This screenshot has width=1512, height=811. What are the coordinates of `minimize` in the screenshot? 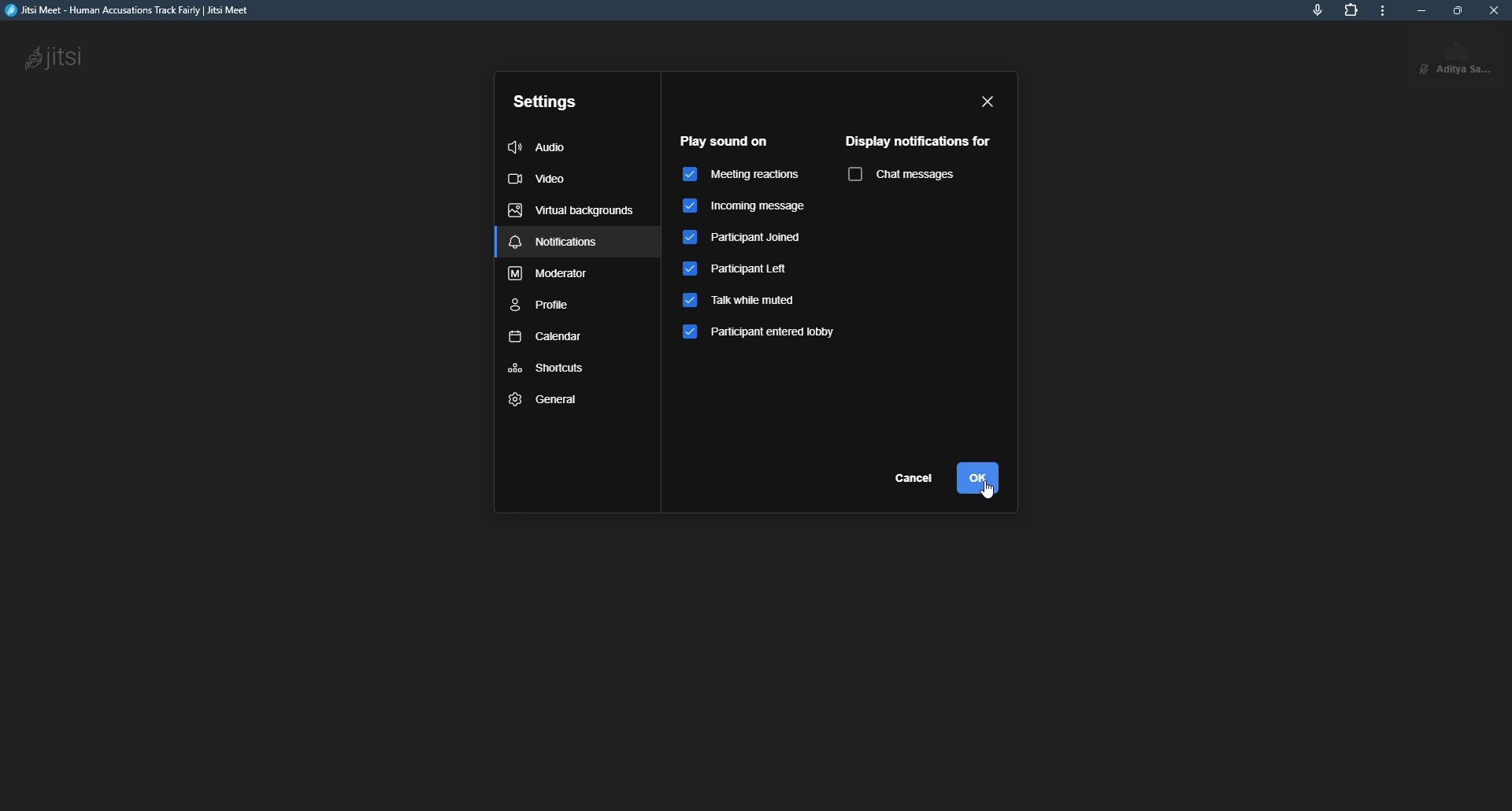 It's located at (1424, 12).